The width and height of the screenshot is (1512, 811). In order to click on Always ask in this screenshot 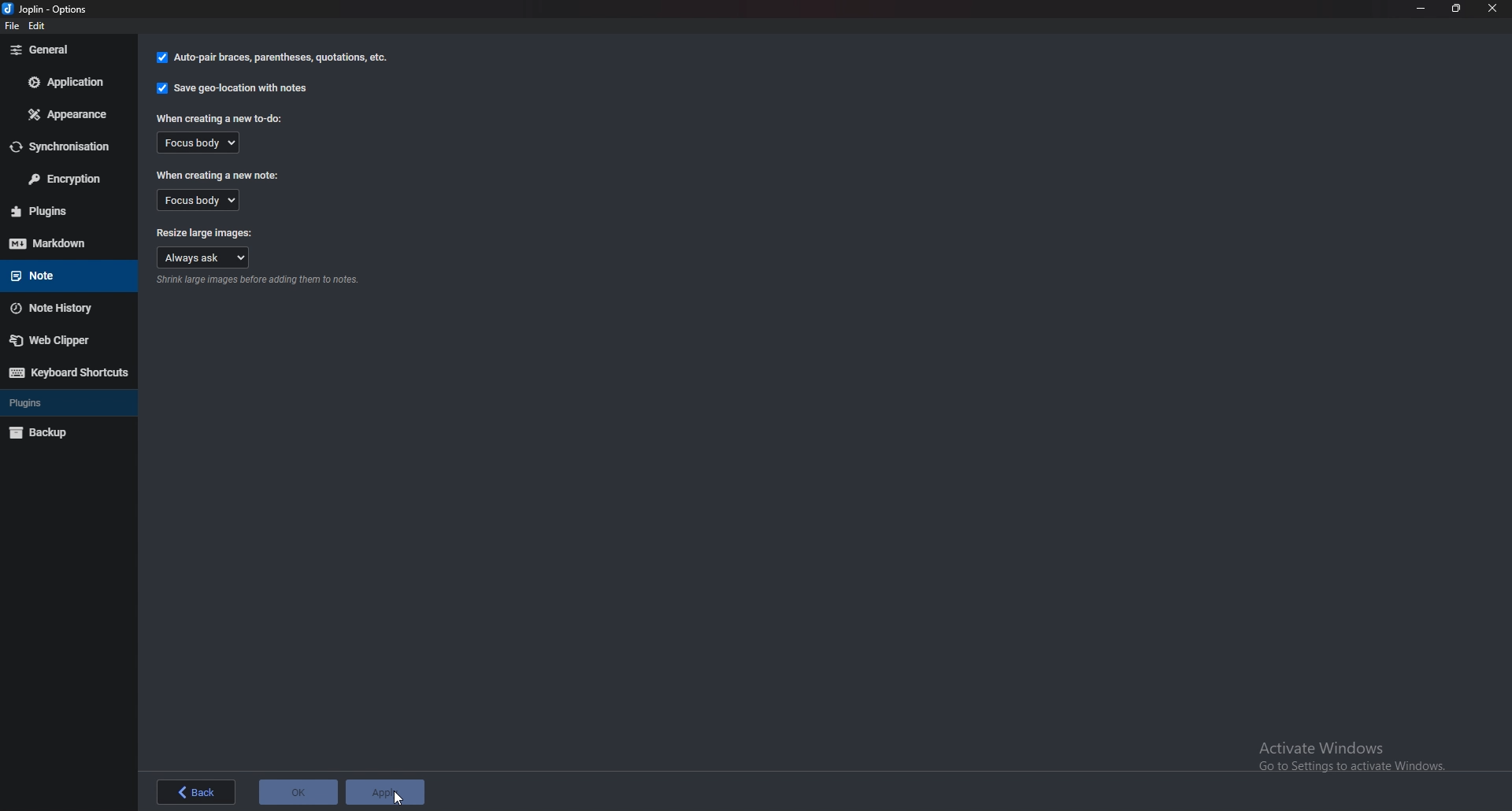, I will do `click(205, 258)`.